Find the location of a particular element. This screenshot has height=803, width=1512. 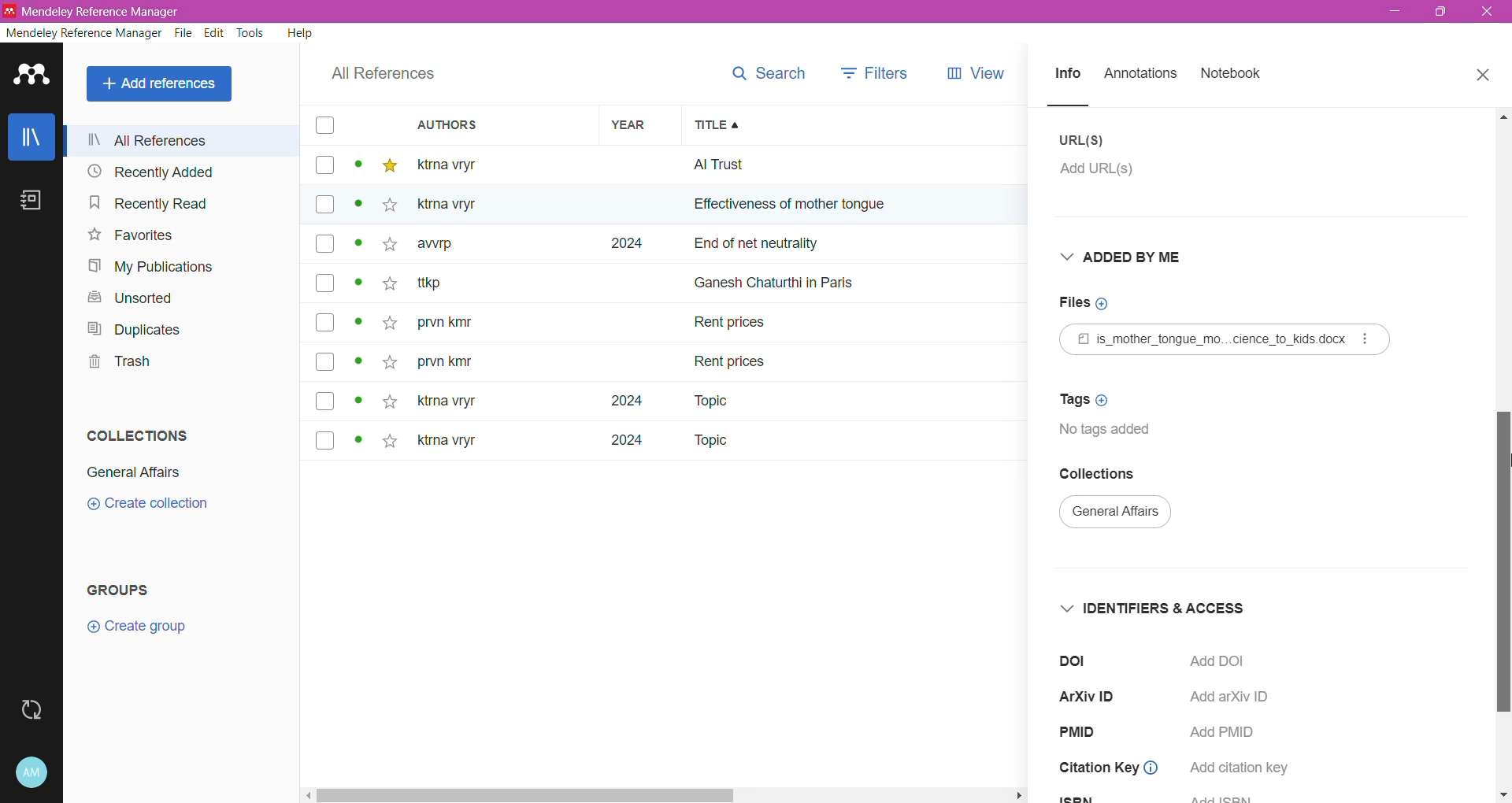

awrp is located at coordinates (447, 249).